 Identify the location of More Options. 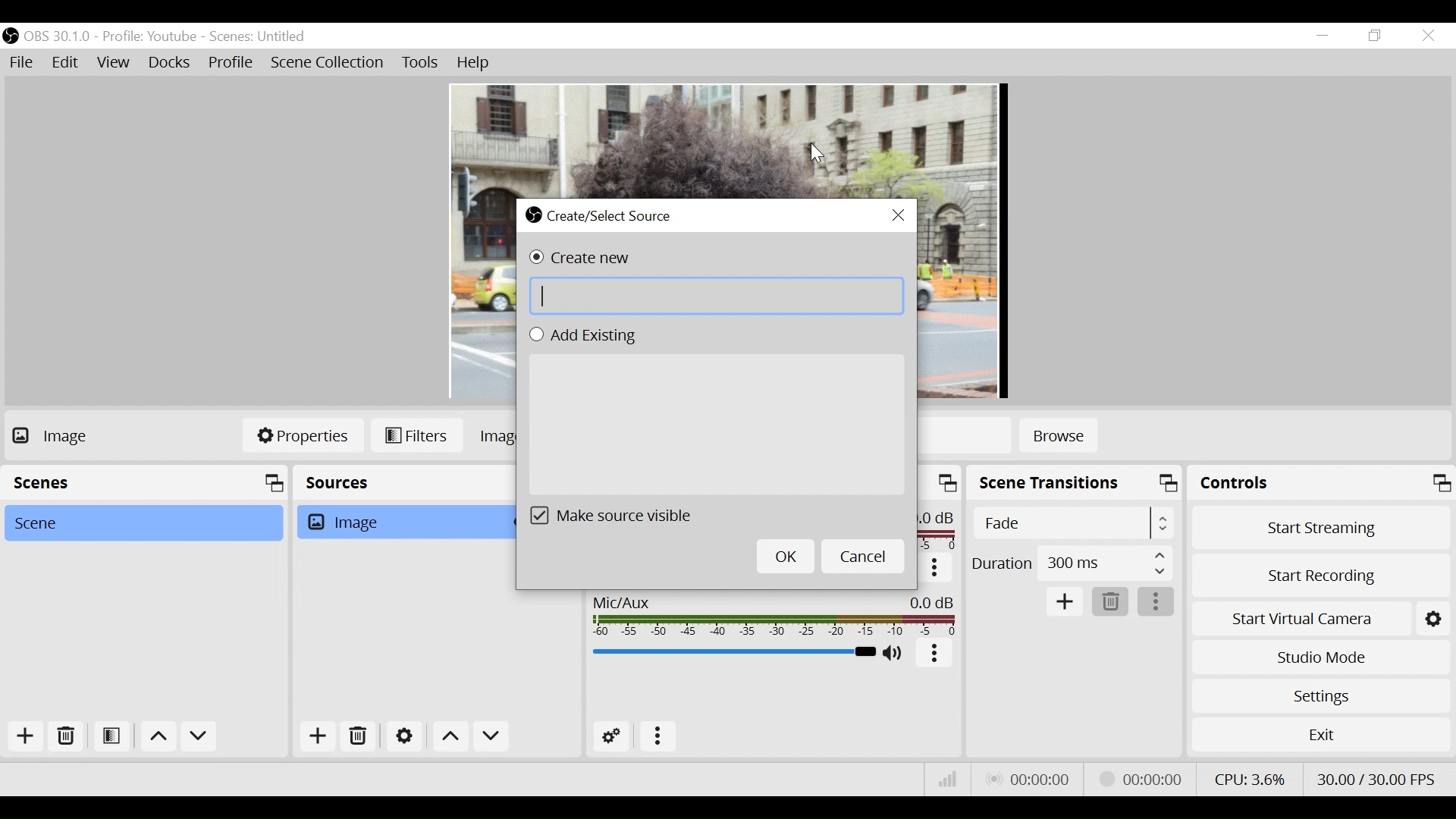
(937, 656).